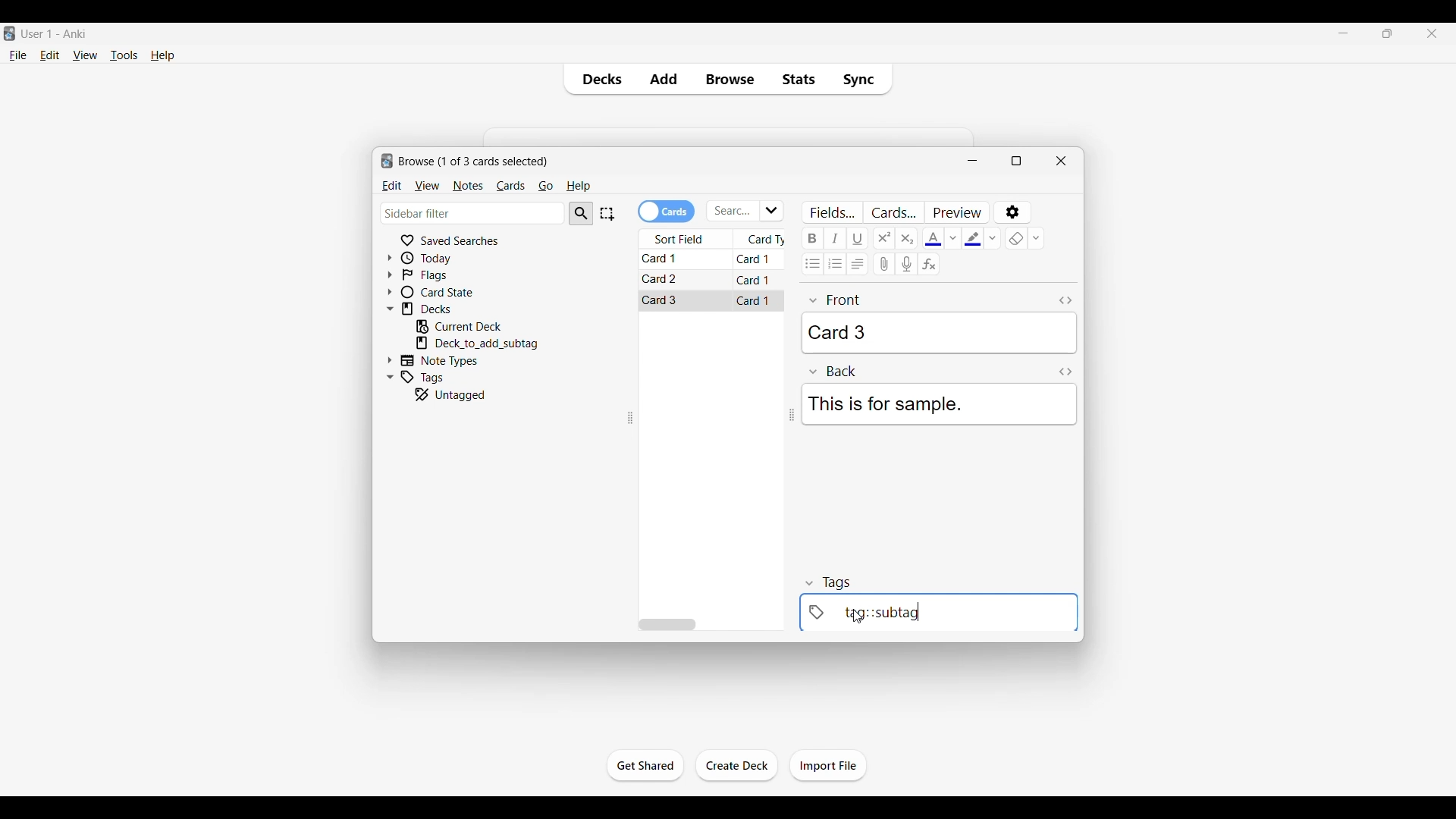 Image resolution: width=1456 pixels, height=819 pixels. What do you see at coordinates (755, 259) in the screenshot?
I see `Card 1` at bounding box center [755, 259].